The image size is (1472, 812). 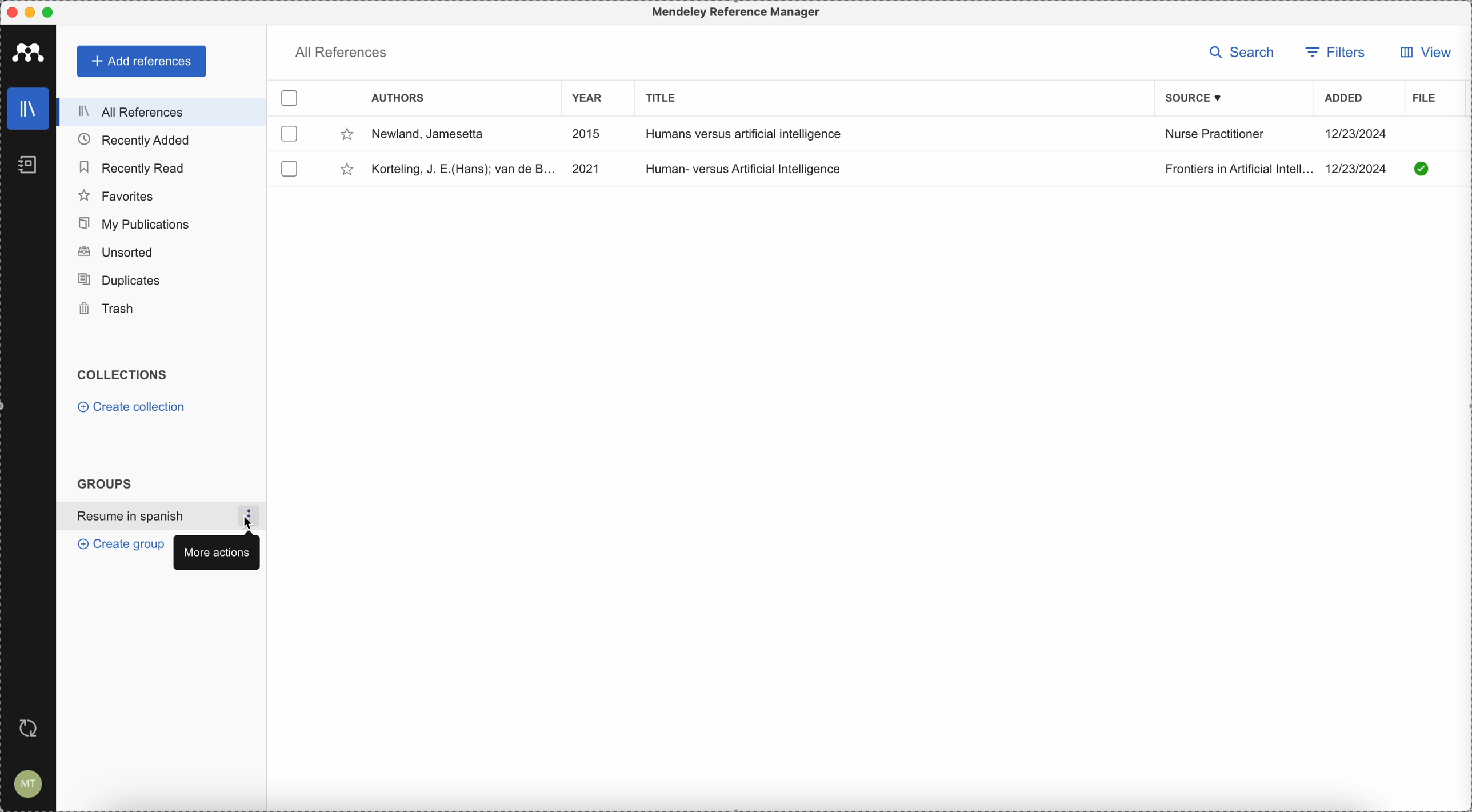 What do you see at coordinates (27, 109) in the screenshot?
I see `library` at bounding box center [27, 109].